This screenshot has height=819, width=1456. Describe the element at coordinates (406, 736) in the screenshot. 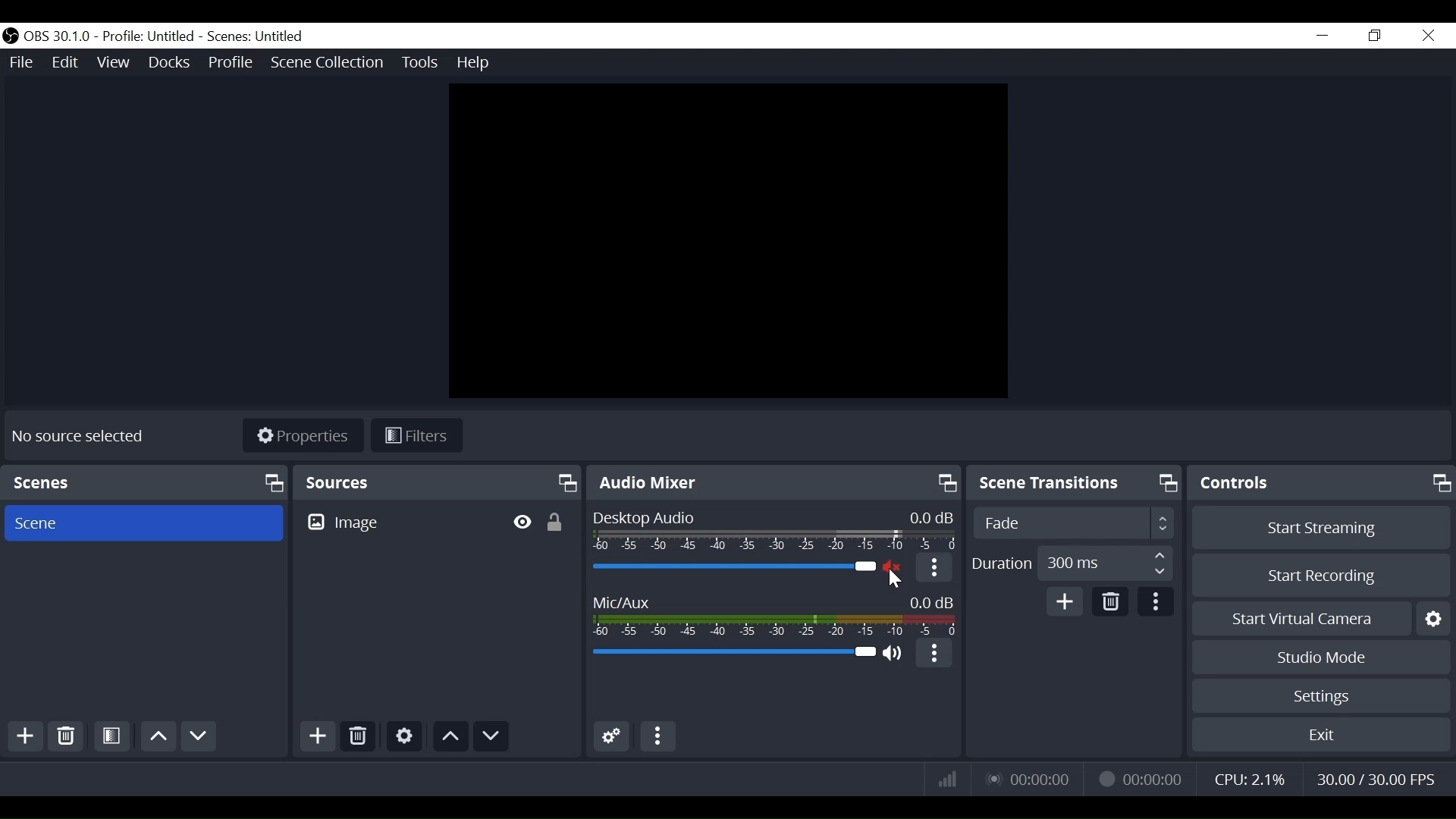

I see `Settings` at that location.